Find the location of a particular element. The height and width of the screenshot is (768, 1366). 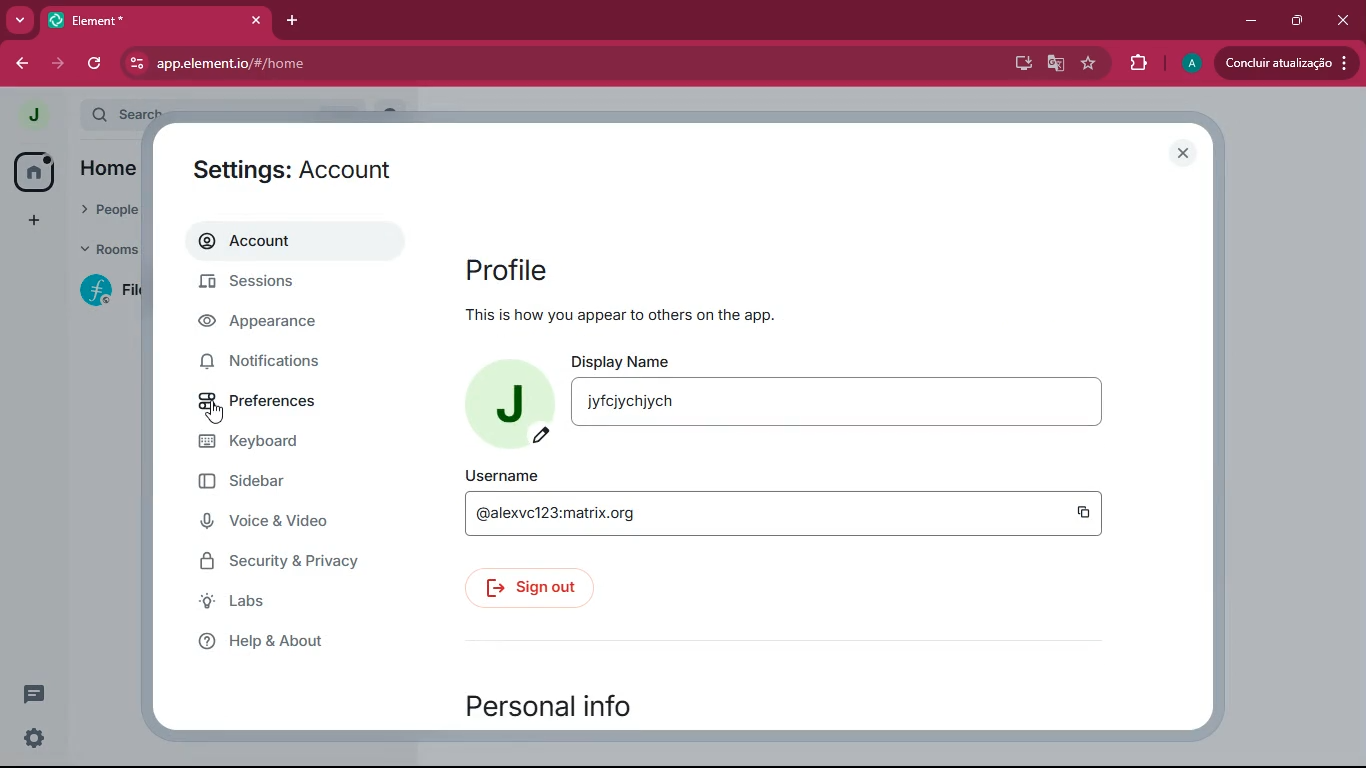

account is located at coordinates (296, 239).